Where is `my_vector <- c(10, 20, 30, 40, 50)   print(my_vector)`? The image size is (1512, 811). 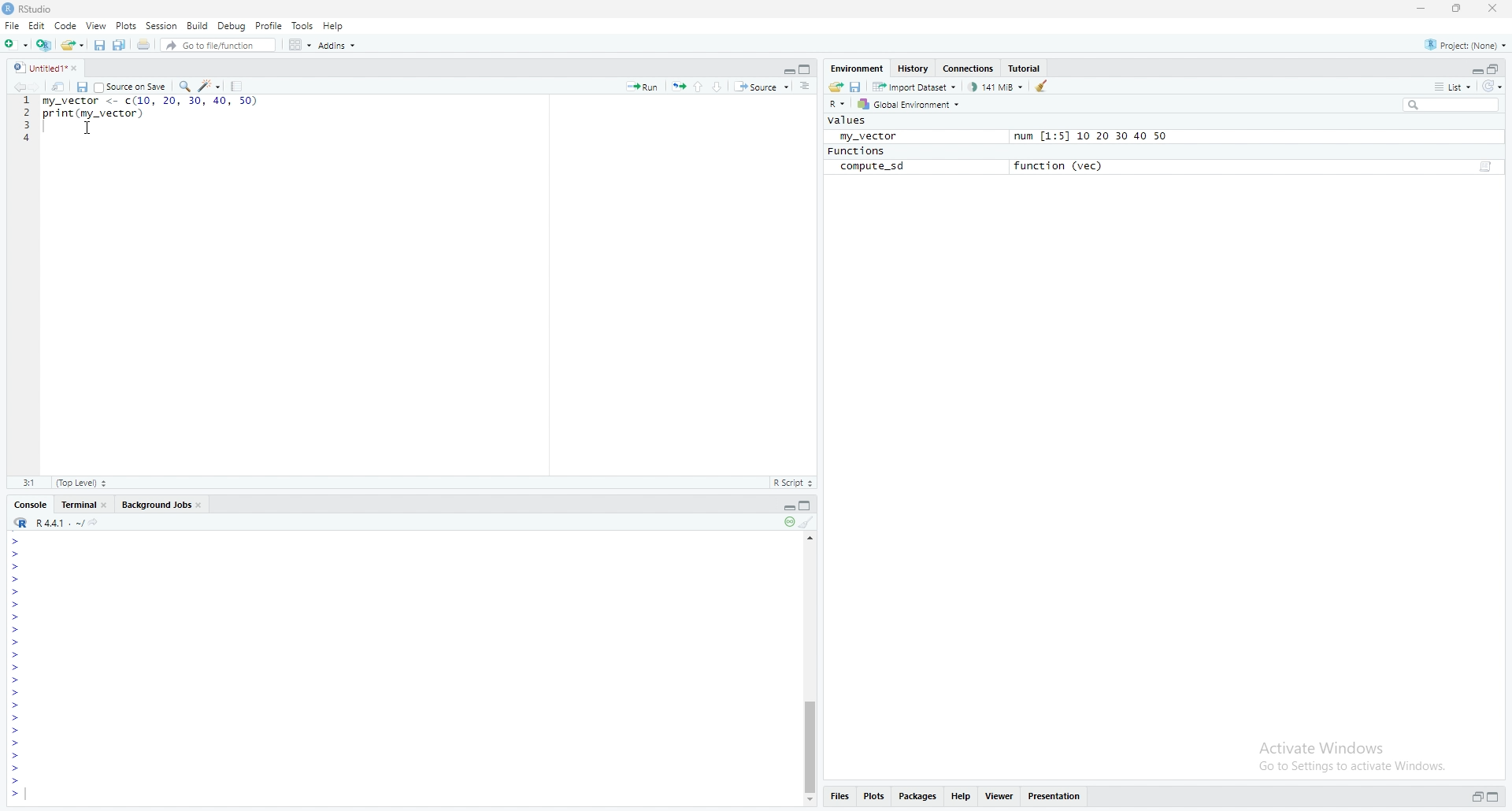
my_vector <- c(10, 20, 30, 40, 50)   print(my_vector) is located at coordinates (148, 116).